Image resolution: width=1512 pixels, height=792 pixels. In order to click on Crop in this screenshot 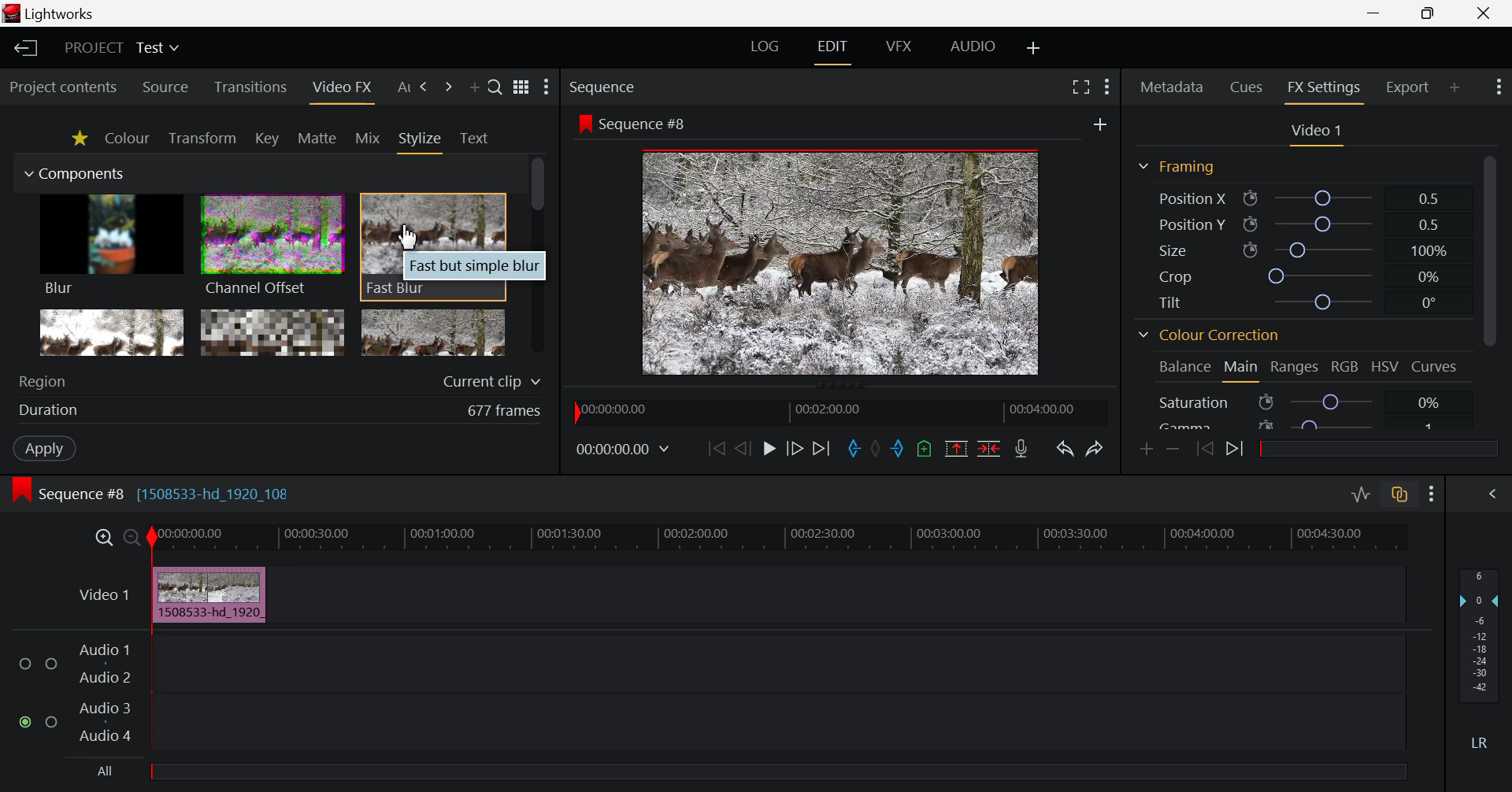, I will do `click(1305, 276)`.